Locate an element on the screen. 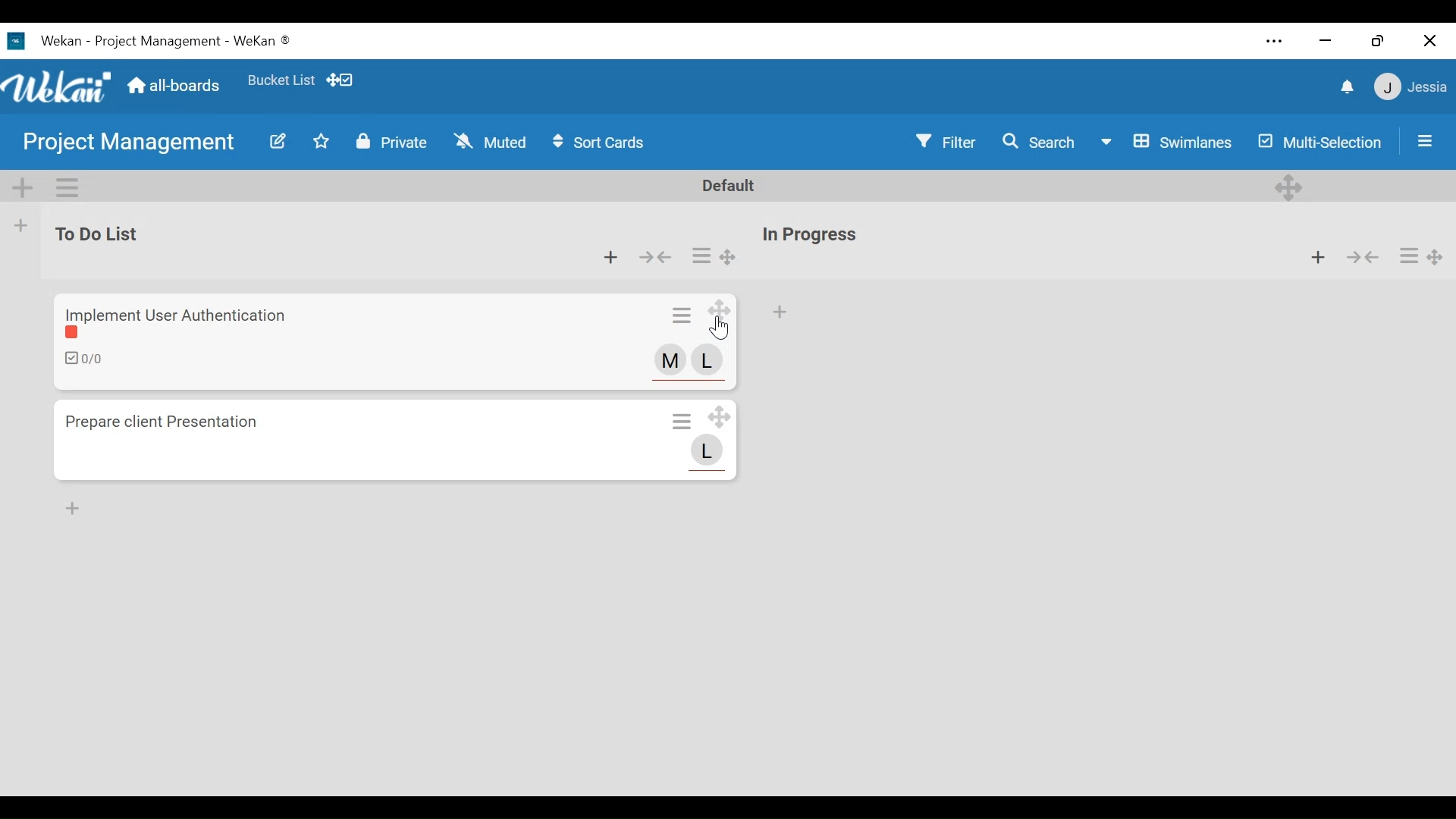 The width and height of the screenshot is (1456, 819). Checklist is located at coordinates (84, 358).